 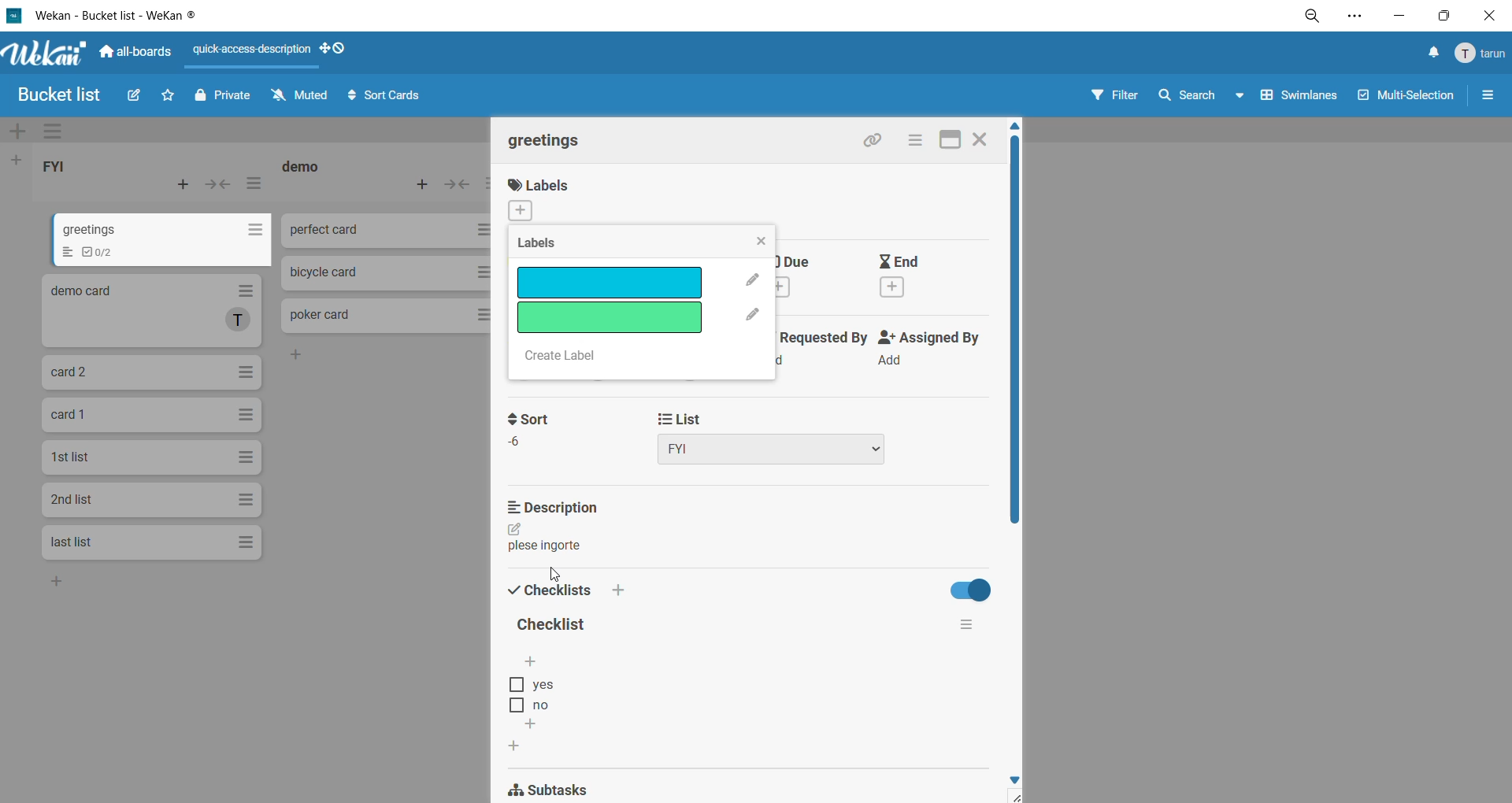 What do you see at coordinates (619, 591) in the screenshot?
I see `add checklist` at bounding box center [619, 591].